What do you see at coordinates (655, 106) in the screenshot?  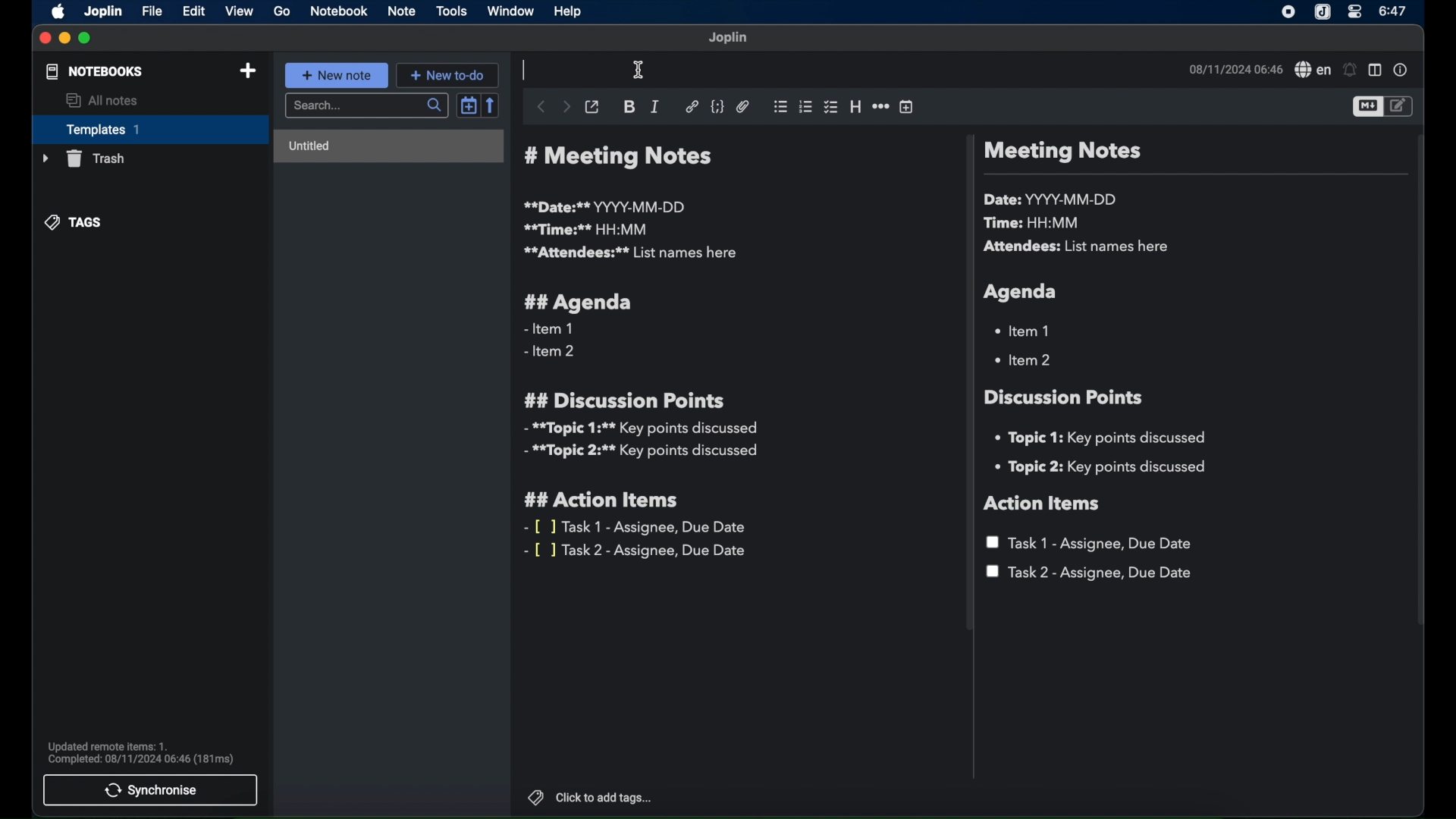 I see `italic` at bounding box center [655, 106].